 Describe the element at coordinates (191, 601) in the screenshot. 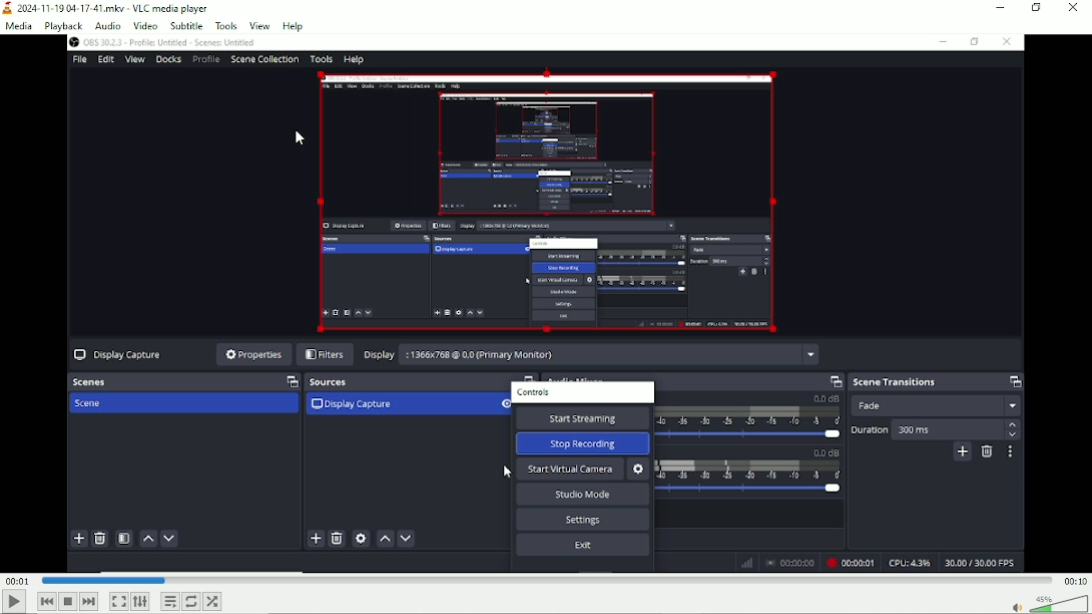

I see `Toggle between loop all, loop one and no loop` at that location.